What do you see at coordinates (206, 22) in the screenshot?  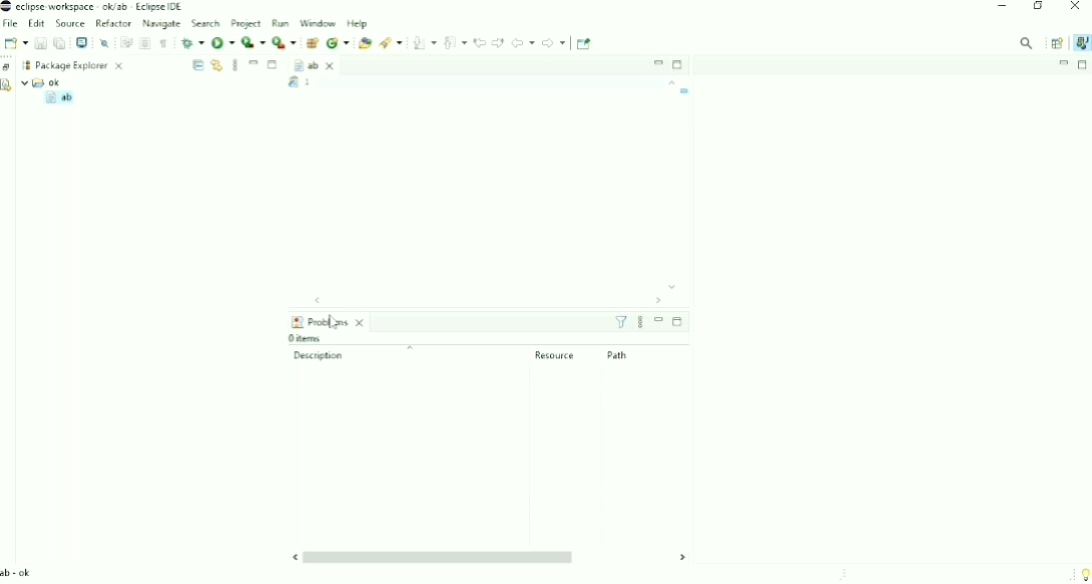 I see `Search` at bounding box center [206, 22].